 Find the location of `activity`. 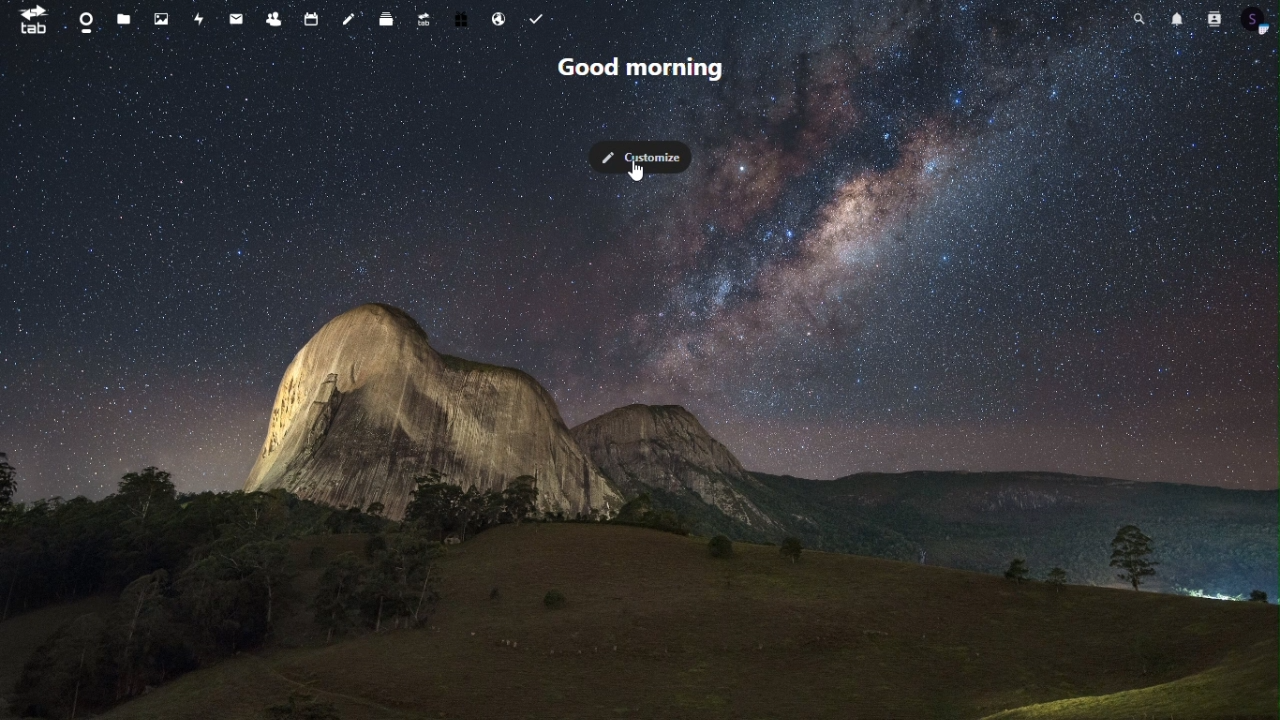

activity is located at coordinates (201, 21).